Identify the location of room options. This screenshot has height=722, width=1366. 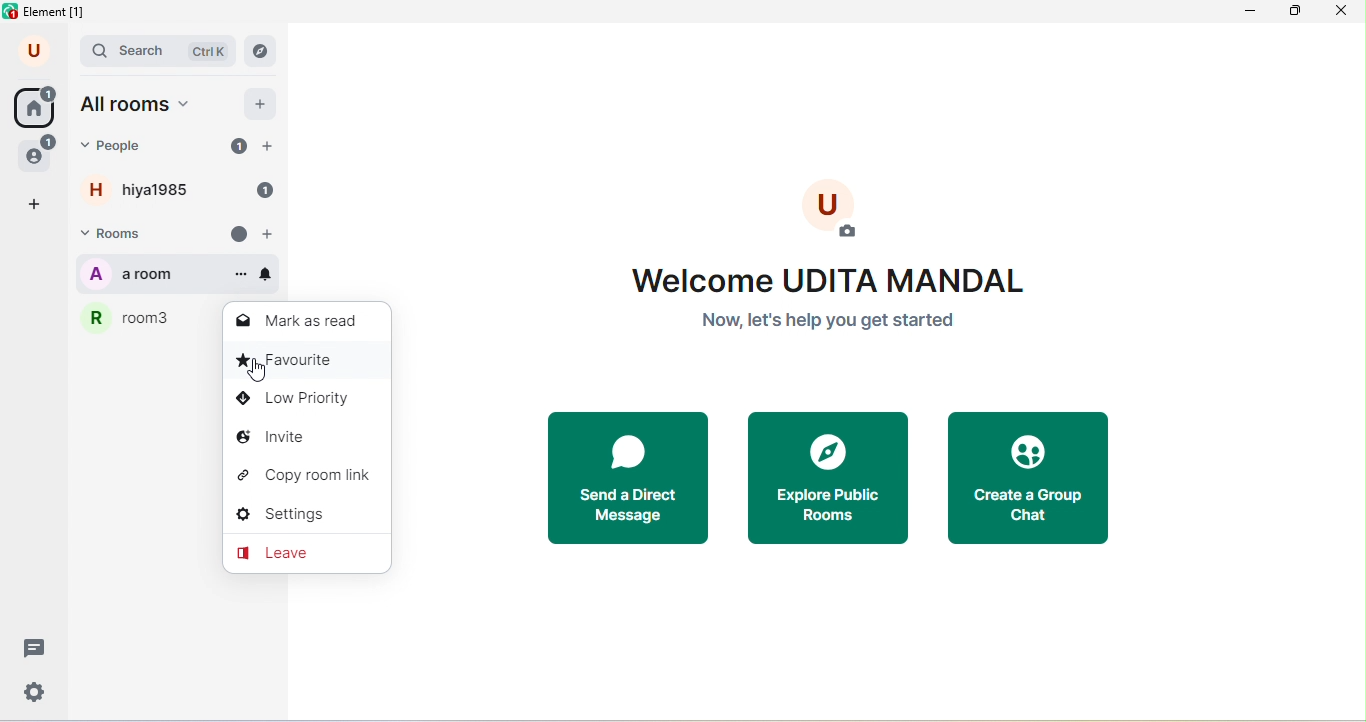
(241, 275).